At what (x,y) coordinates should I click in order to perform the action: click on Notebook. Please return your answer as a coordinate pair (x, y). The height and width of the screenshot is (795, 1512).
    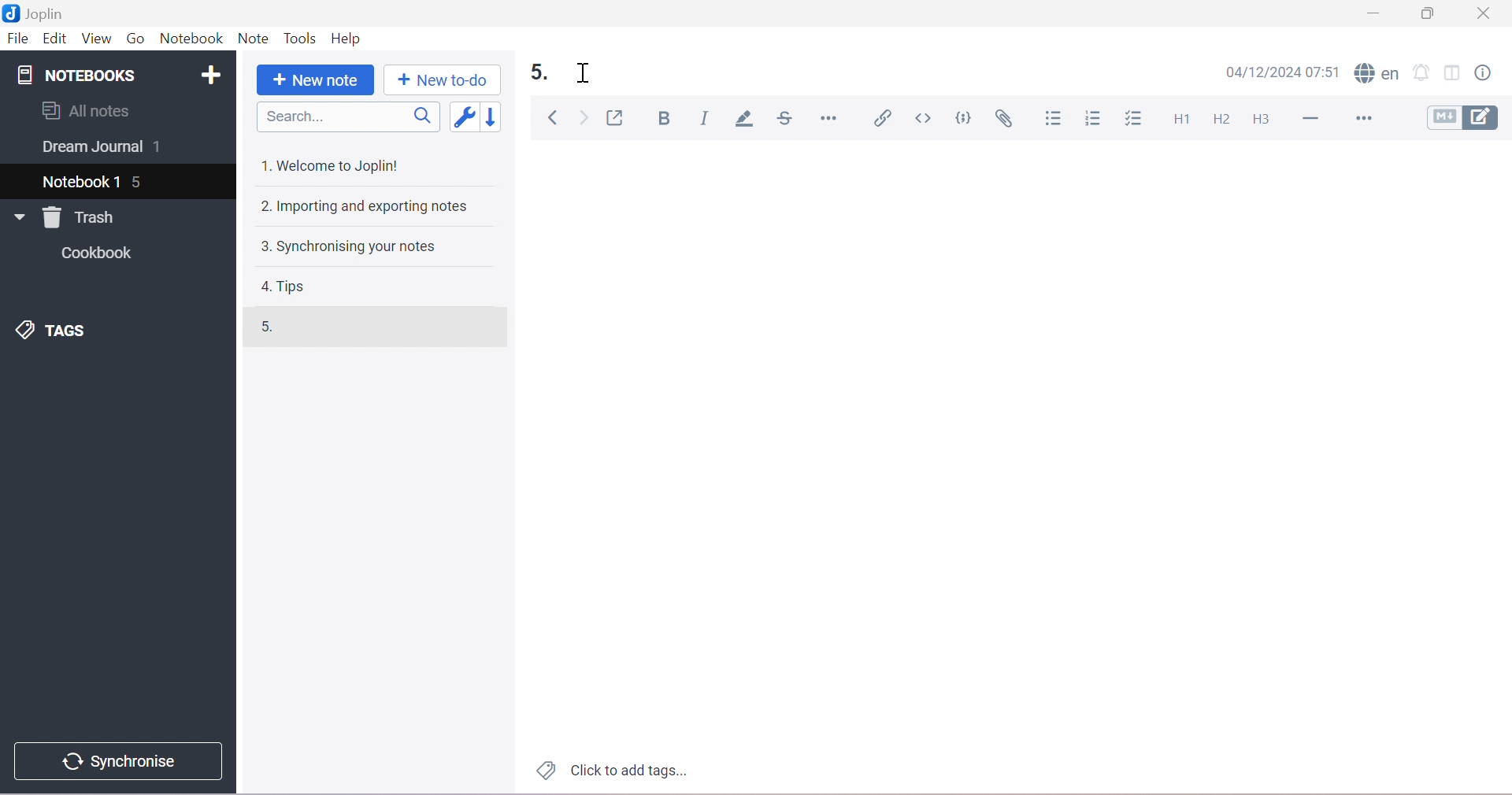
    Looking at the image, I should click on (193, 39).